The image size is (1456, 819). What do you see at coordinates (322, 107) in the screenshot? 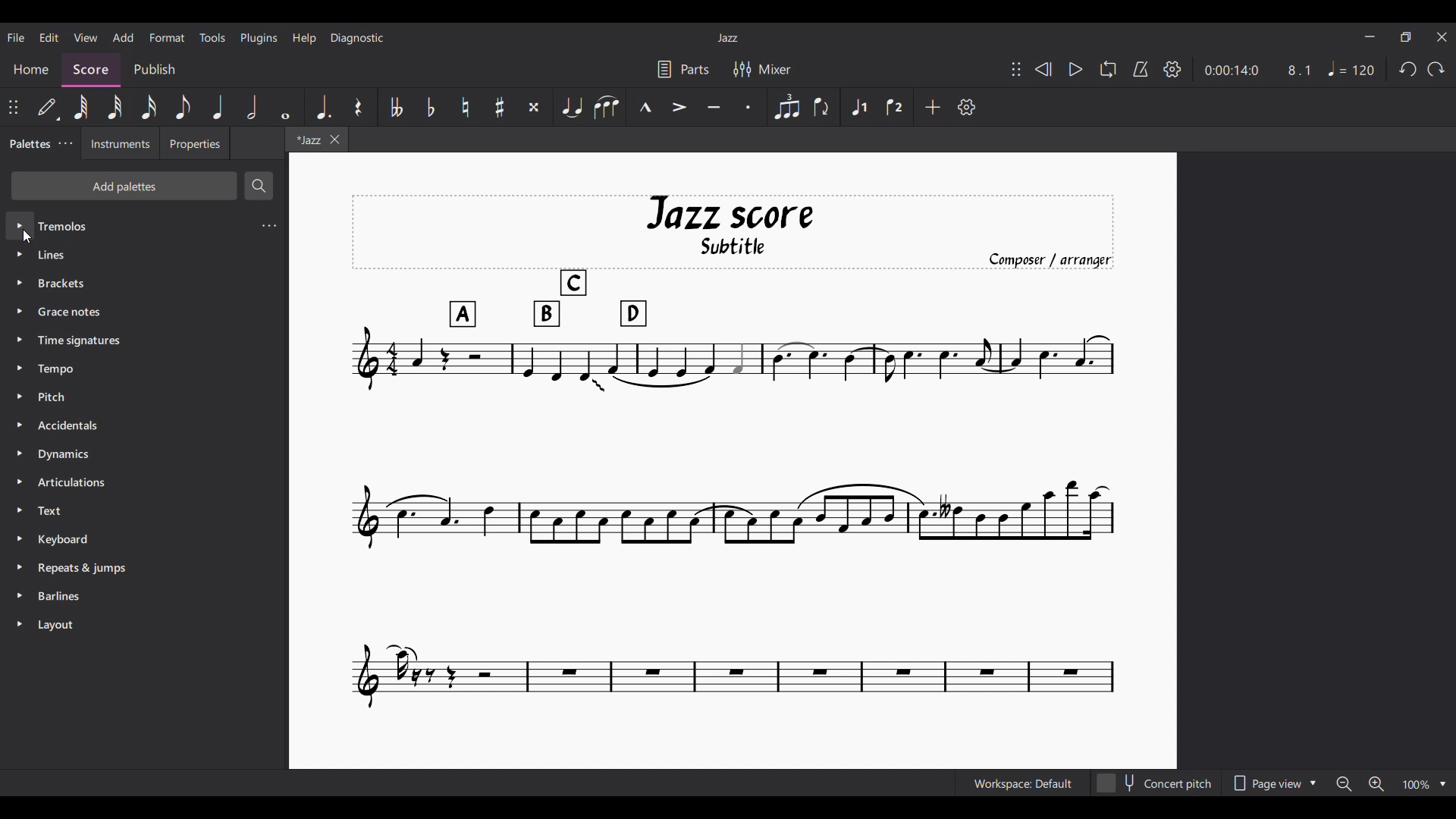
I see `Augmentation dot` at bounding box center [322, 107].